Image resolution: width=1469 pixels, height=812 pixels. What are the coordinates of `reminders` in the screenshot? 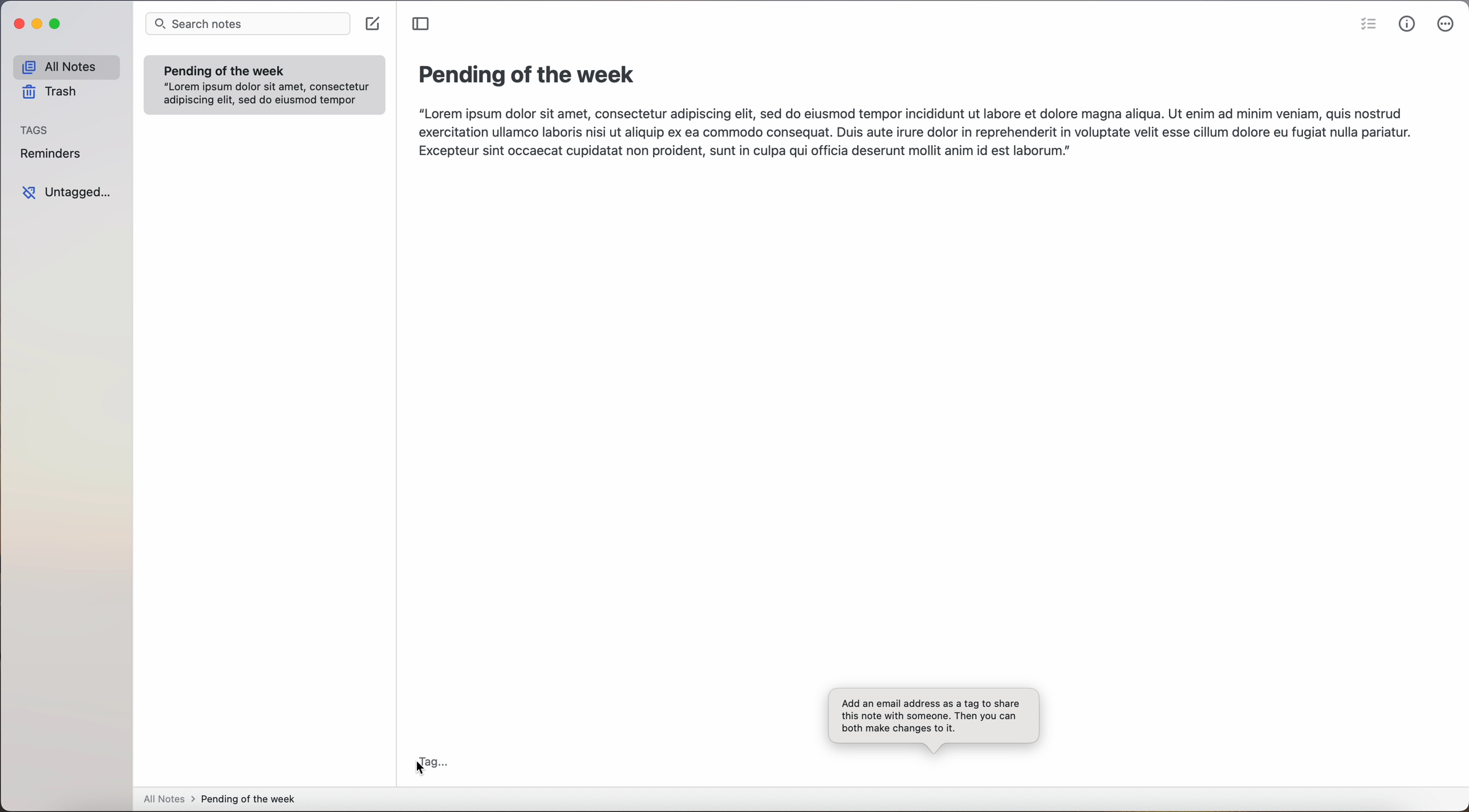 It's located at (53, 155).